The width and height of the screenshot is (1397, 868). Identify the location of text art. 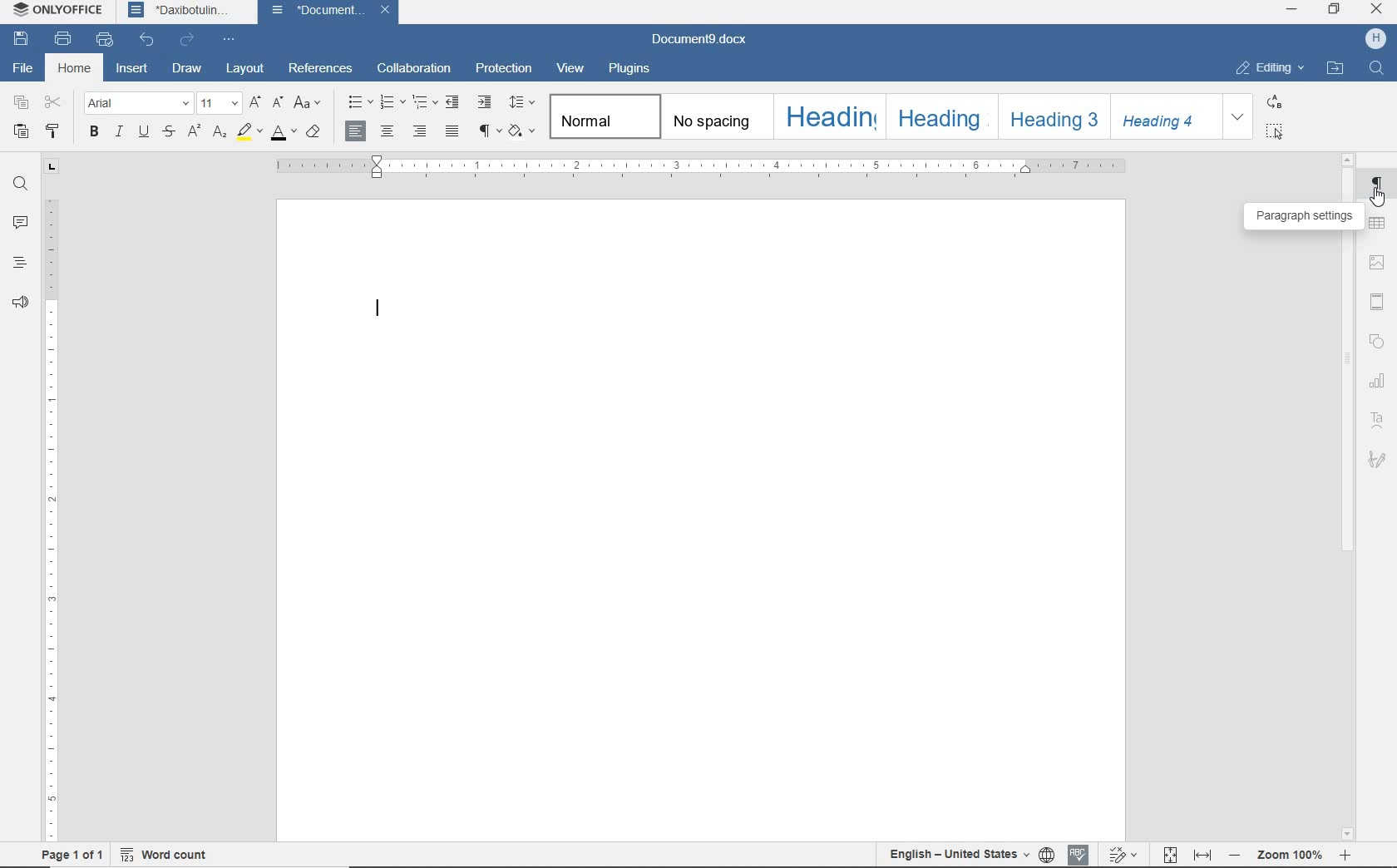
(1378, 421).